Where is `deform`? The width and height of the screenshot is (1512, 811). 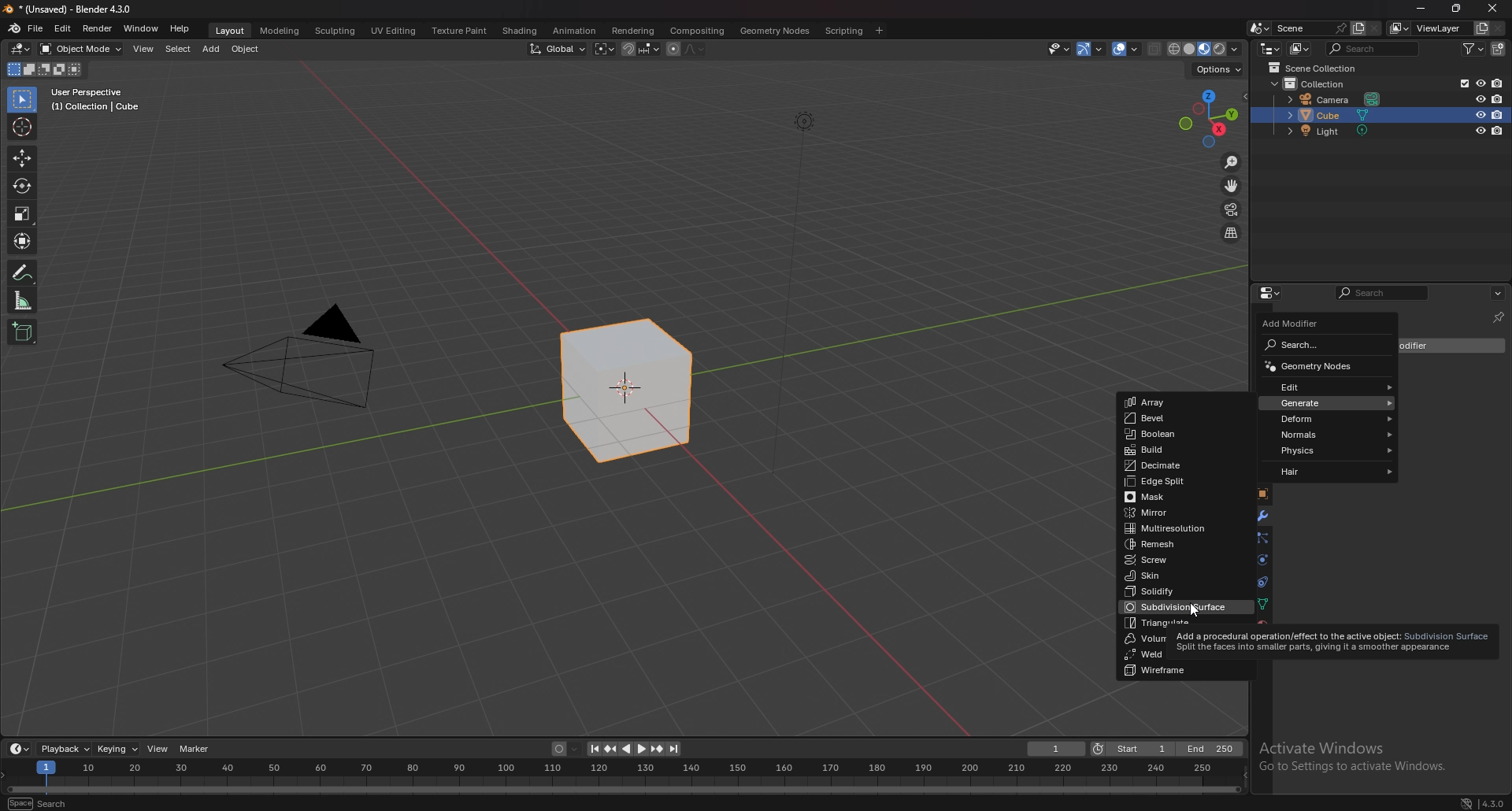
deform is located at coordinates (1328, 419).